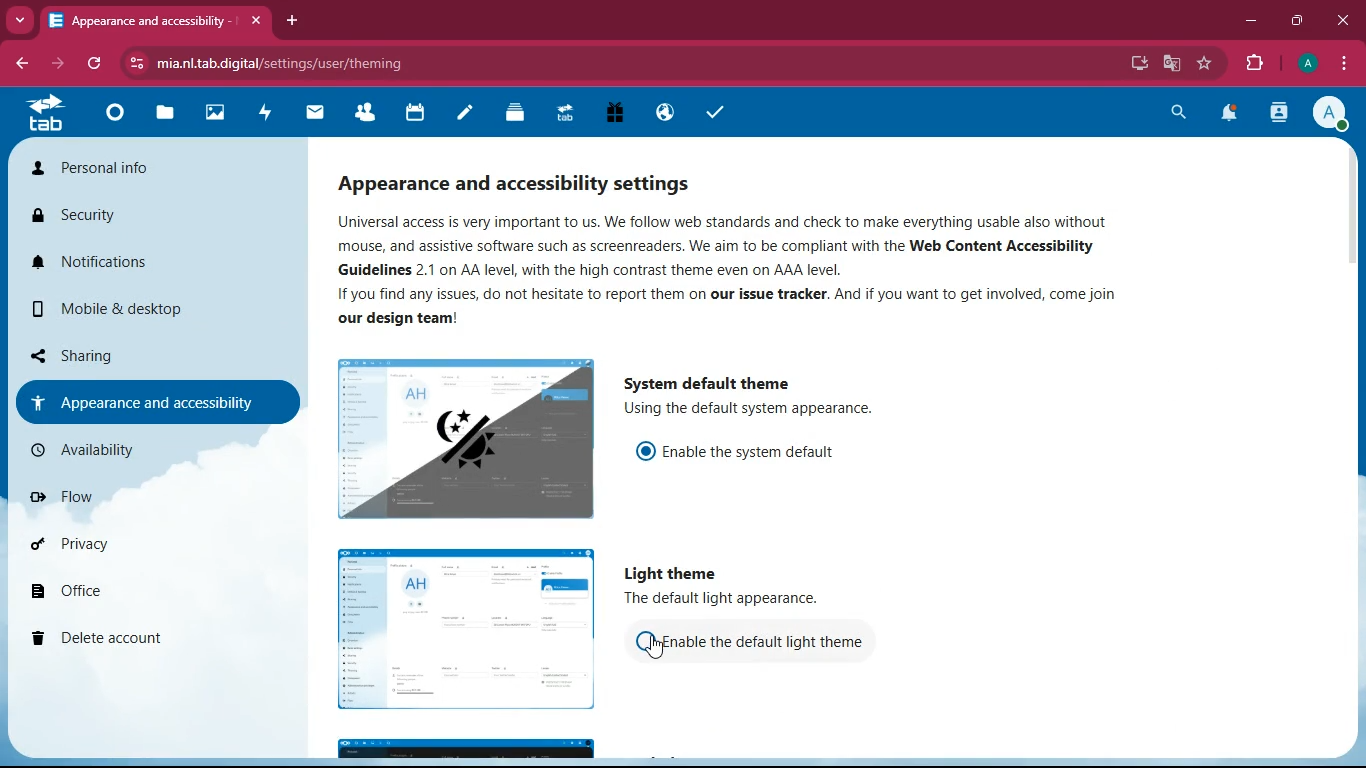 This screenshot has width=1366, height=768. I want to click on public, so click(663, 112).